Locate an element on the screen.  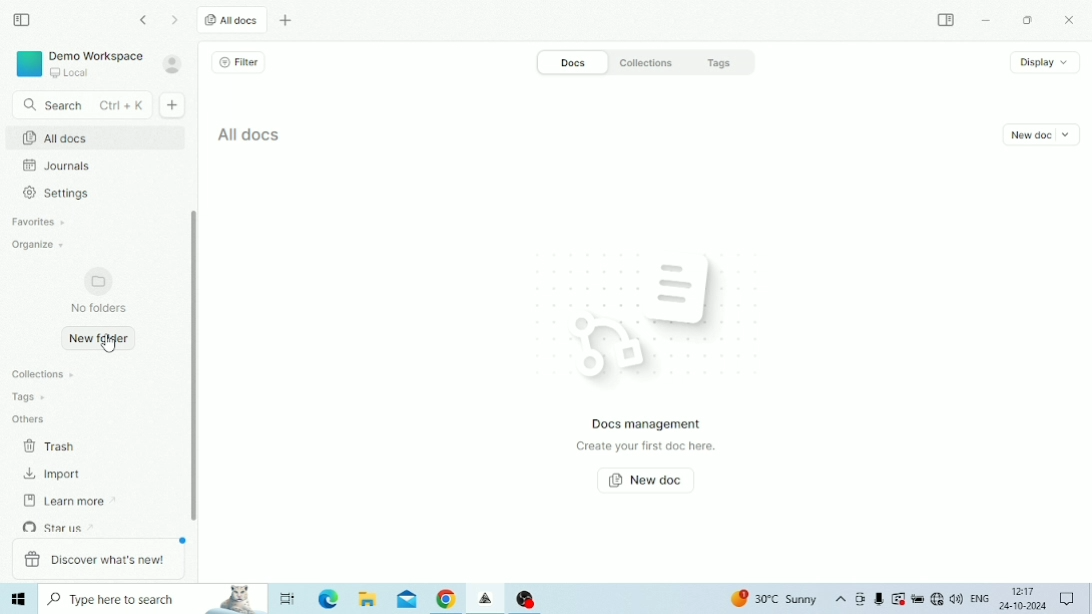
Organize is located at coordinates (39, 245).